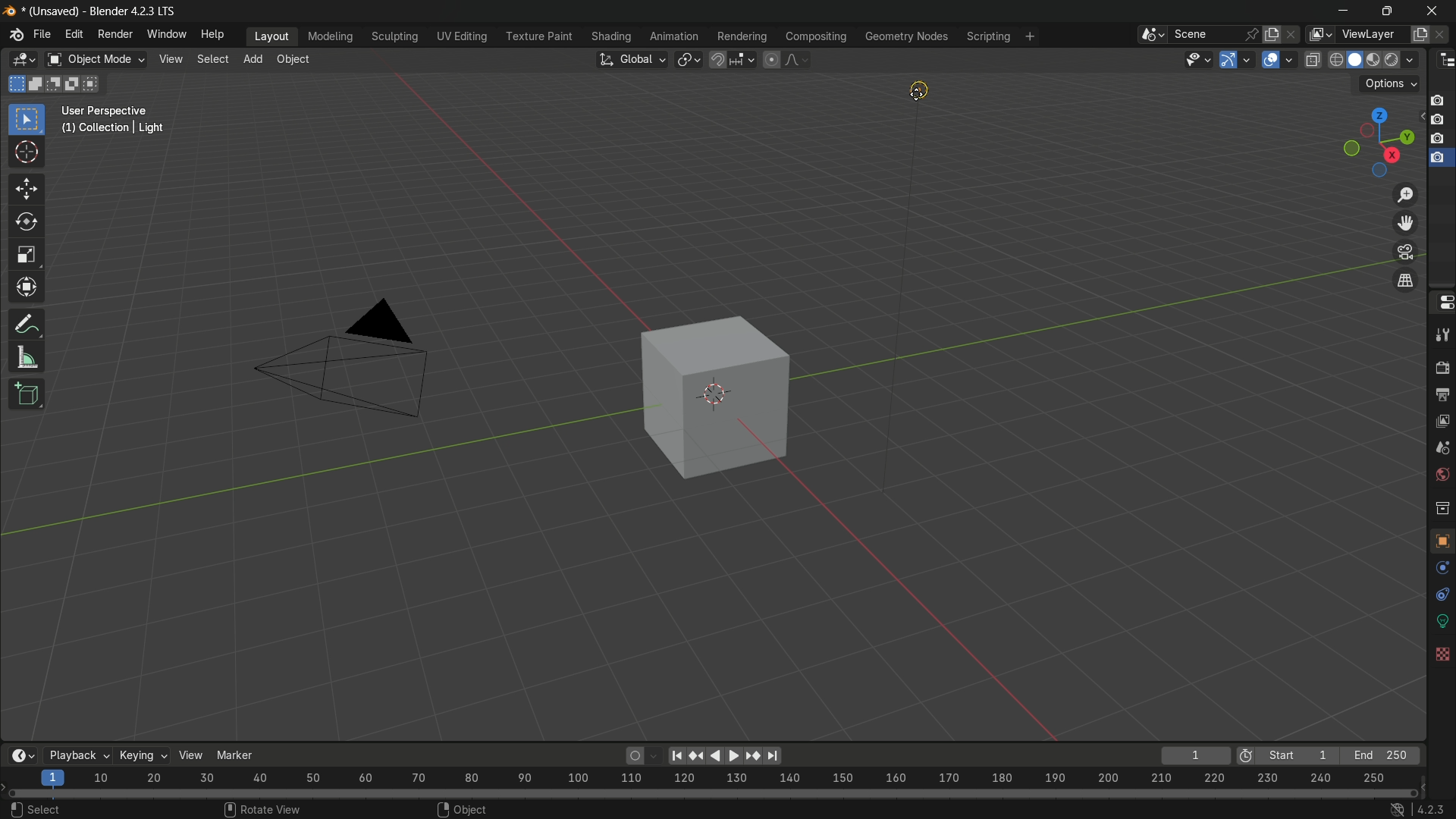  What do you see at coordinates (1441, 736) in the screenshot?
I see `texture` at bounding box center [1441, 736].